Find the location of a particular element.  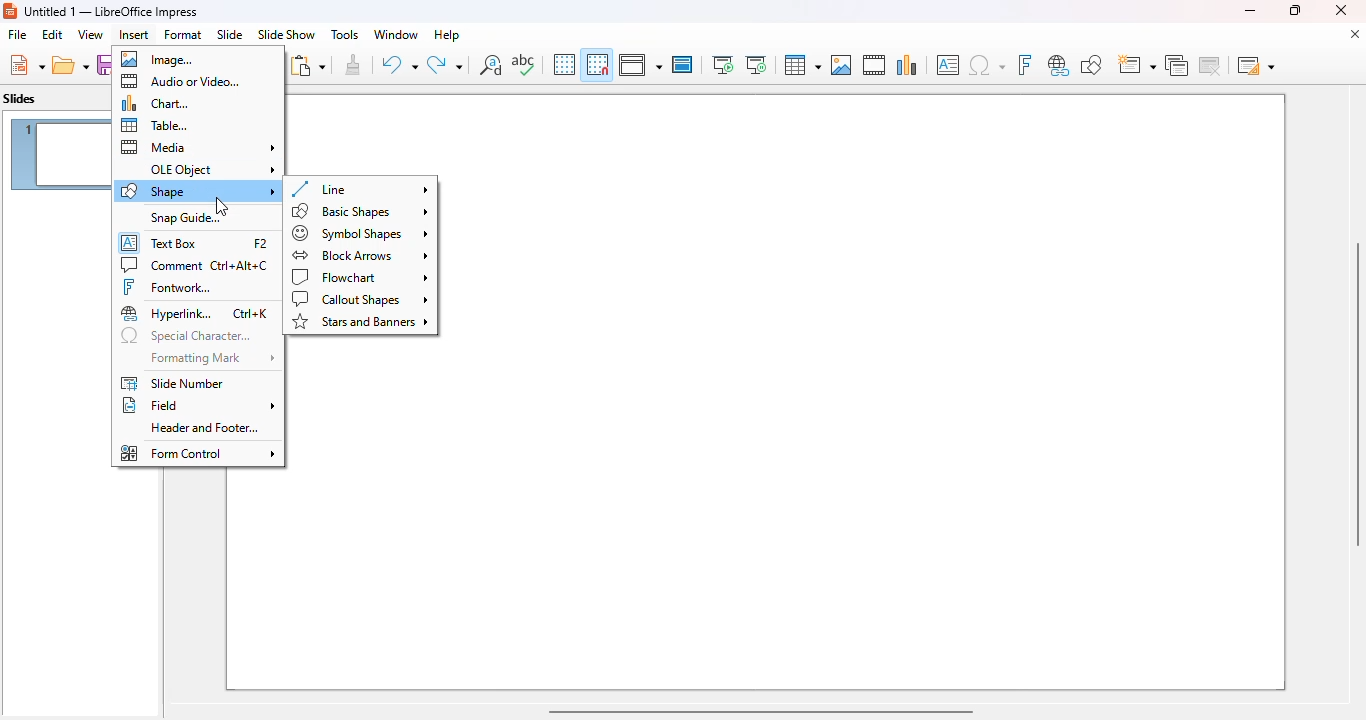

shape is located at coordinates (197, 191).